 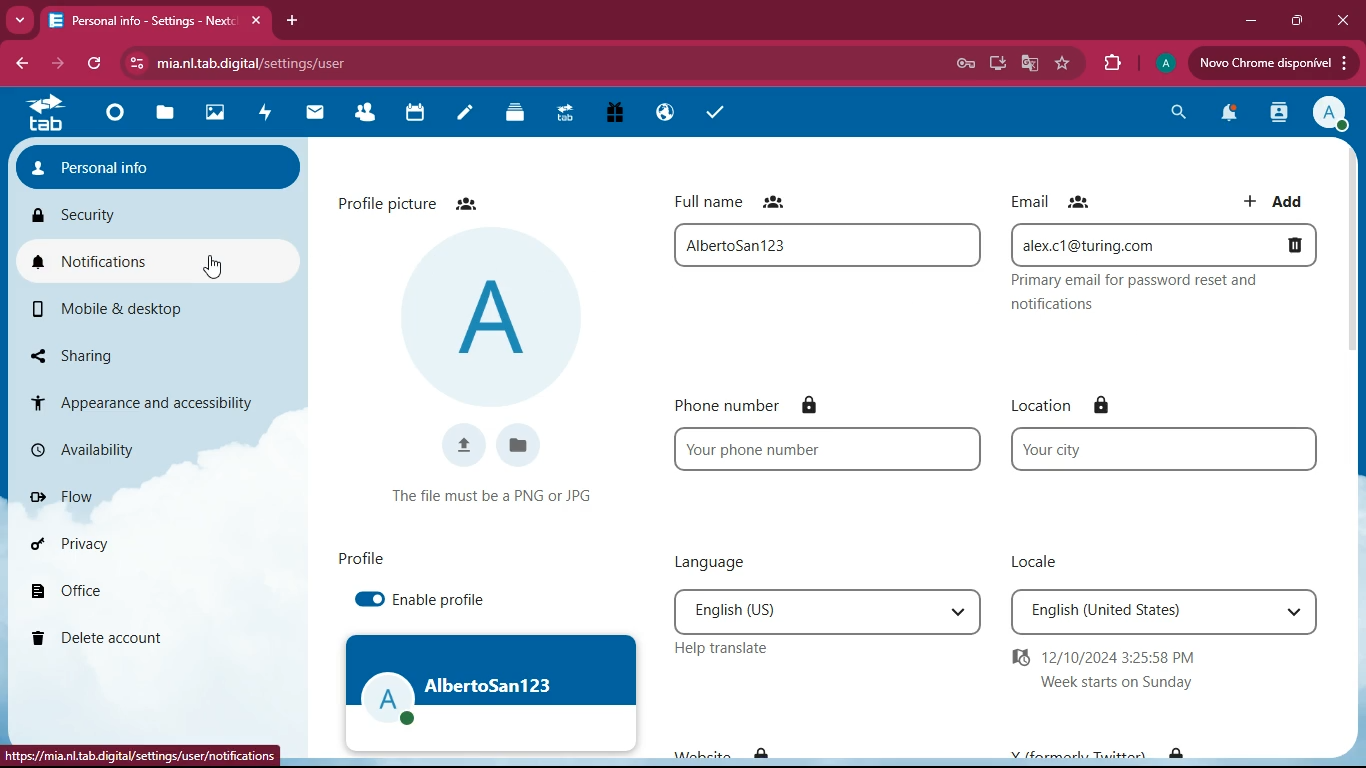 I want to click on notifications, so click(x=1224, y=116).